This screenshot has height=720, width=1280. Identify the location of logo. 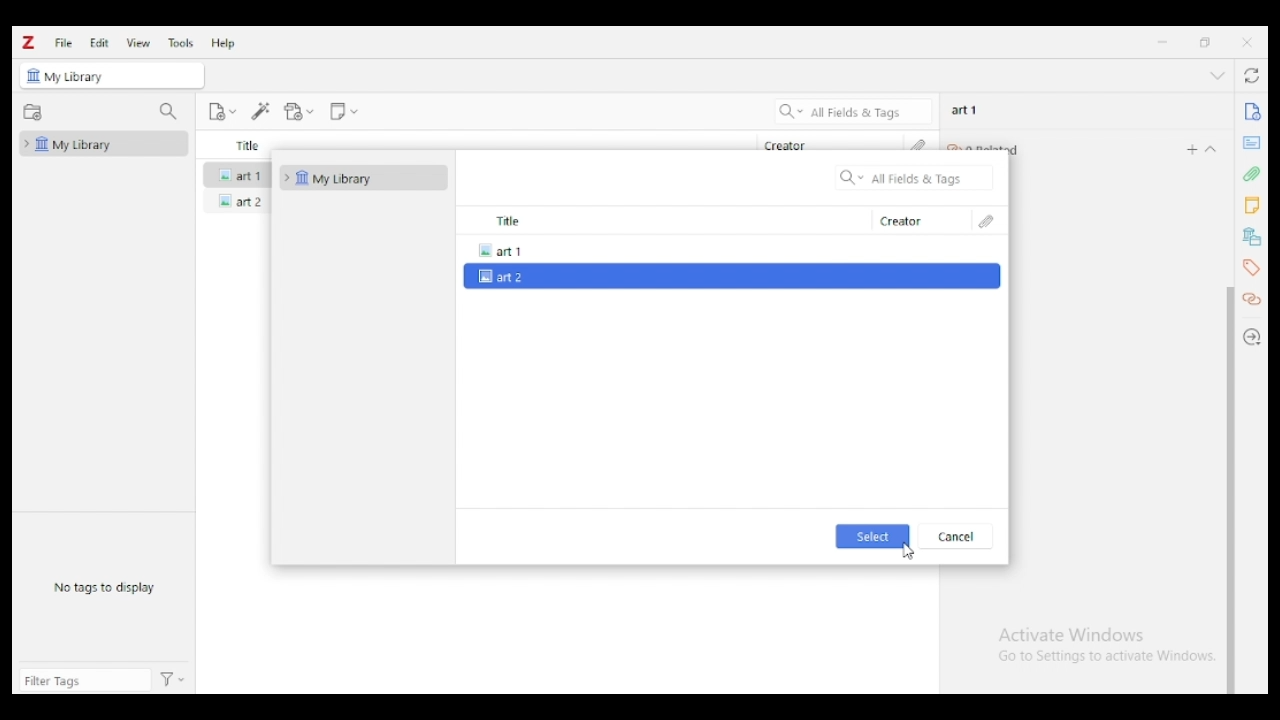
(29, 43).